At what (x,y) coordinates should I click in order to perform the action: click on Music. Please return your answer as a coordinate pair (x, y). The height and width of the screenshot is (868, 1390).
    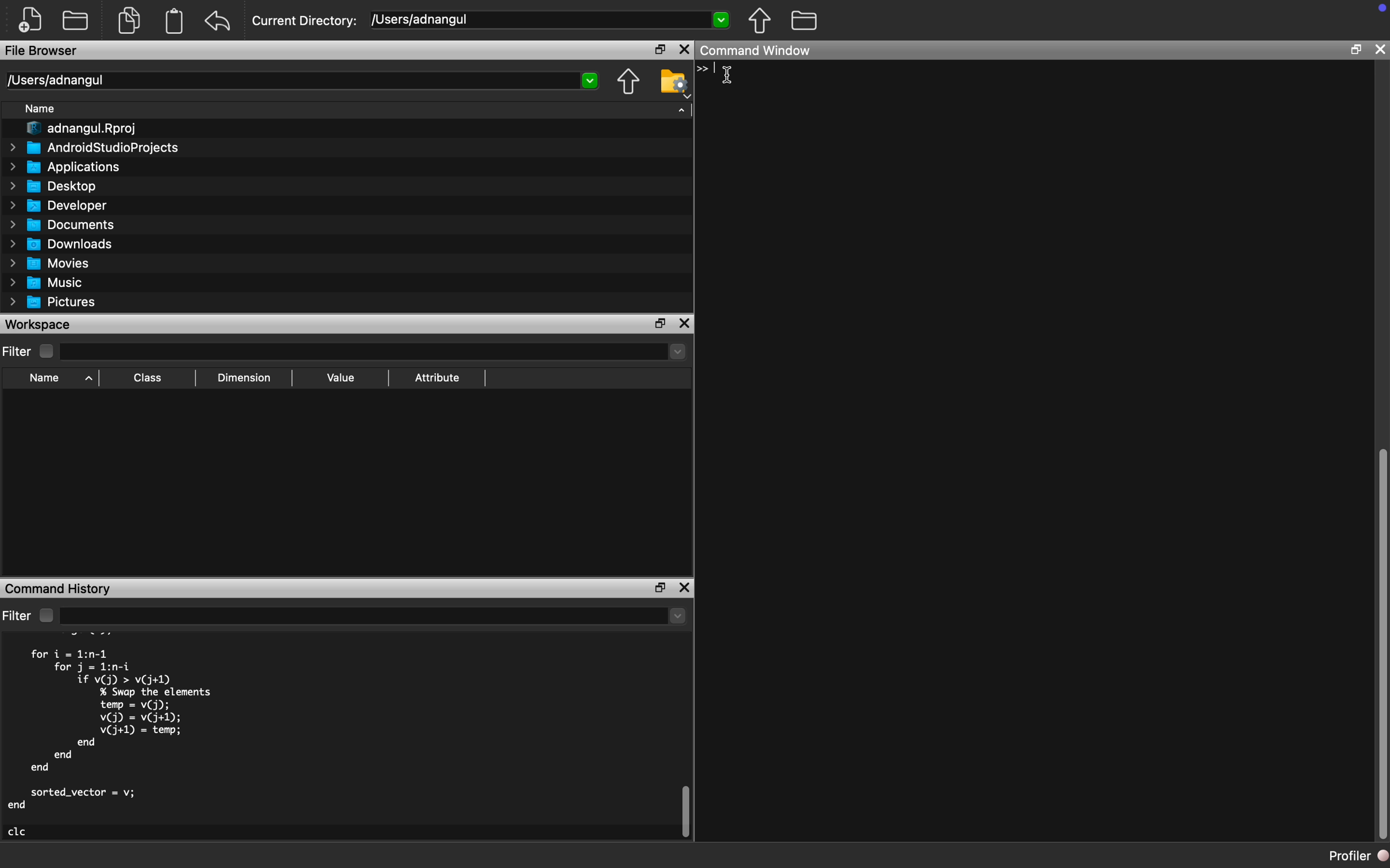
    Looking at the image, I should click on (44, 282).